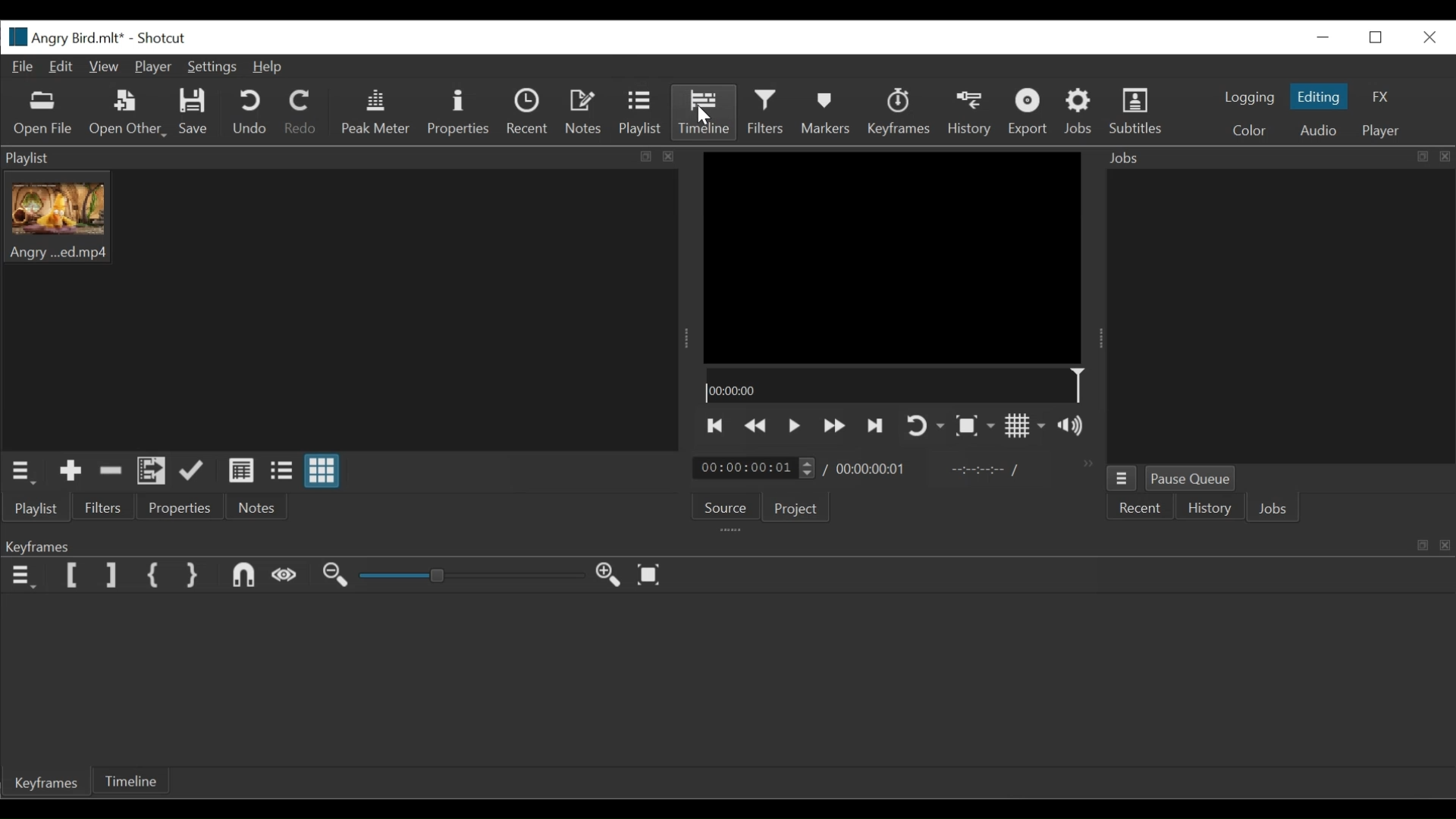 This screenshot has height=819, width=1456. I want to click on Media viewer, so click(893, 259).